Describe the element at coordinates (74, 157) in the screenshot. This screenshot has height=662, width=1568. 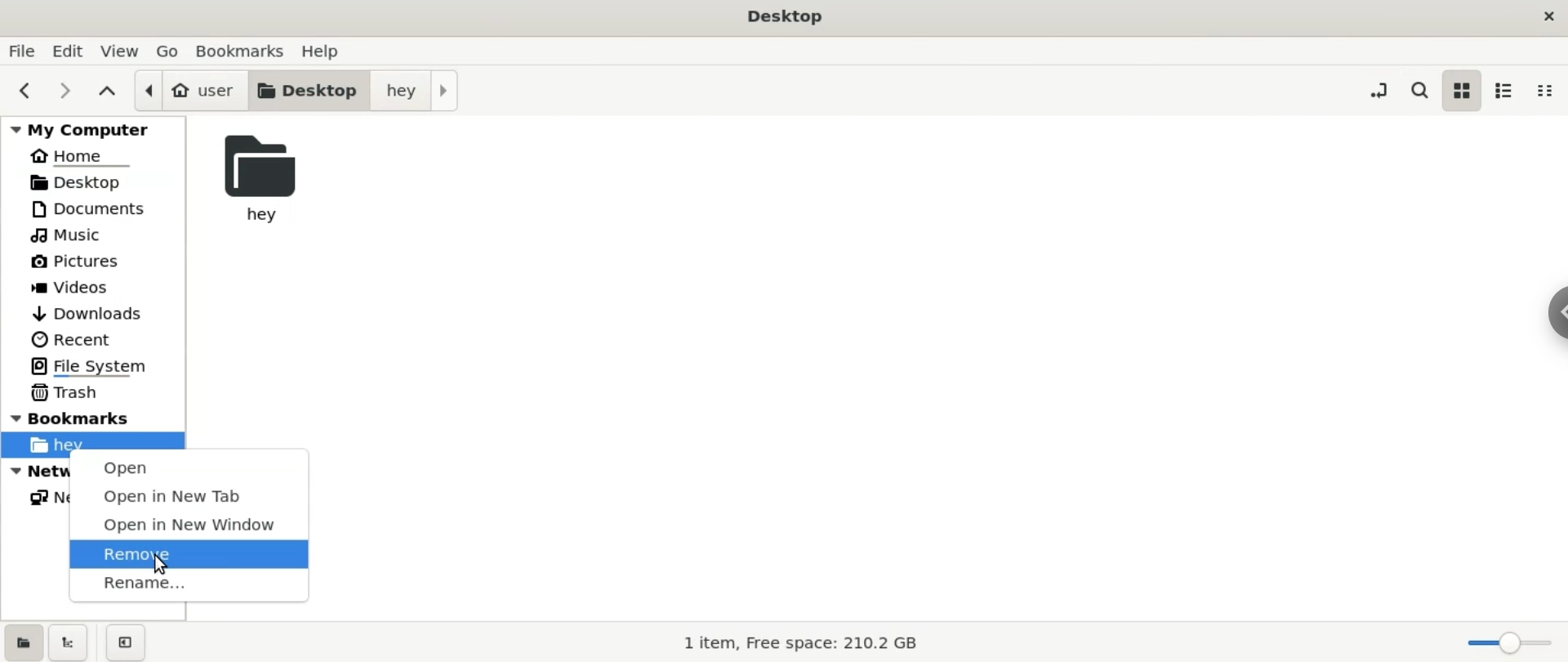
I see `home` at that location.